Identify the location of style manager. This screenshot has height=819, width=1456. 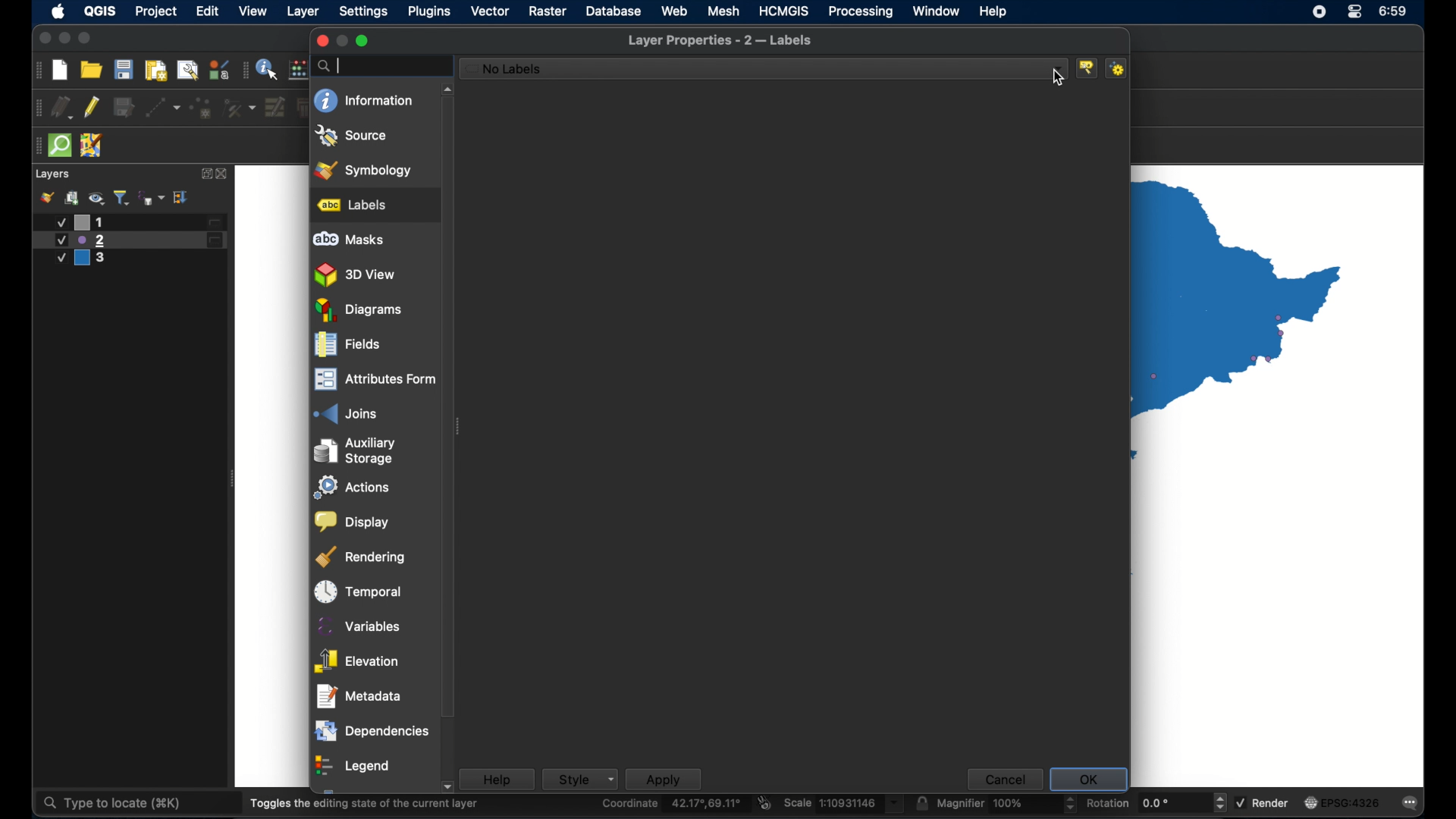
(219, 69).